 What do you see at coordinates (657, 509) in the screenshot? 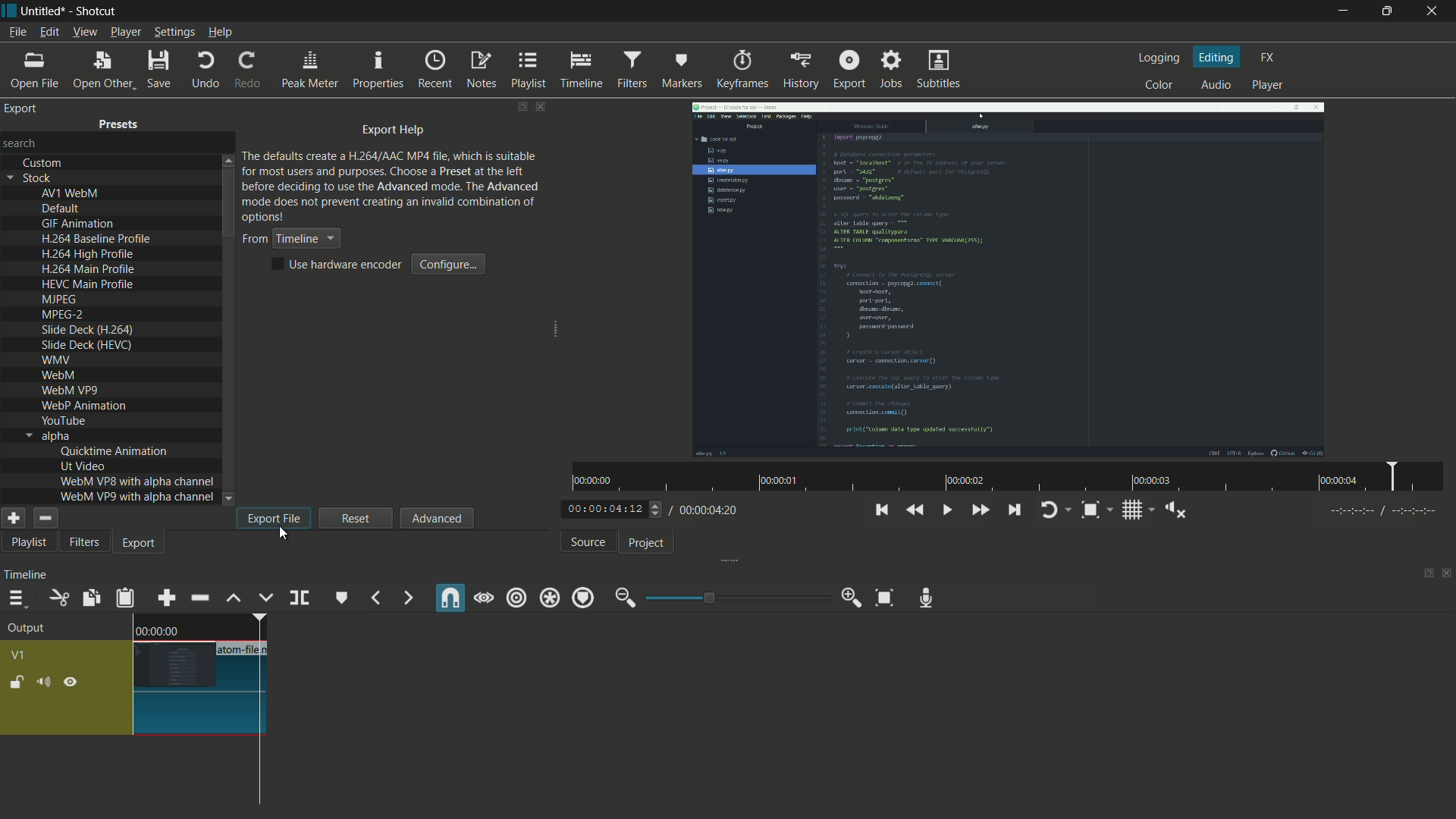
I see `rewind/fast forward` at bounding box center [657, 509].